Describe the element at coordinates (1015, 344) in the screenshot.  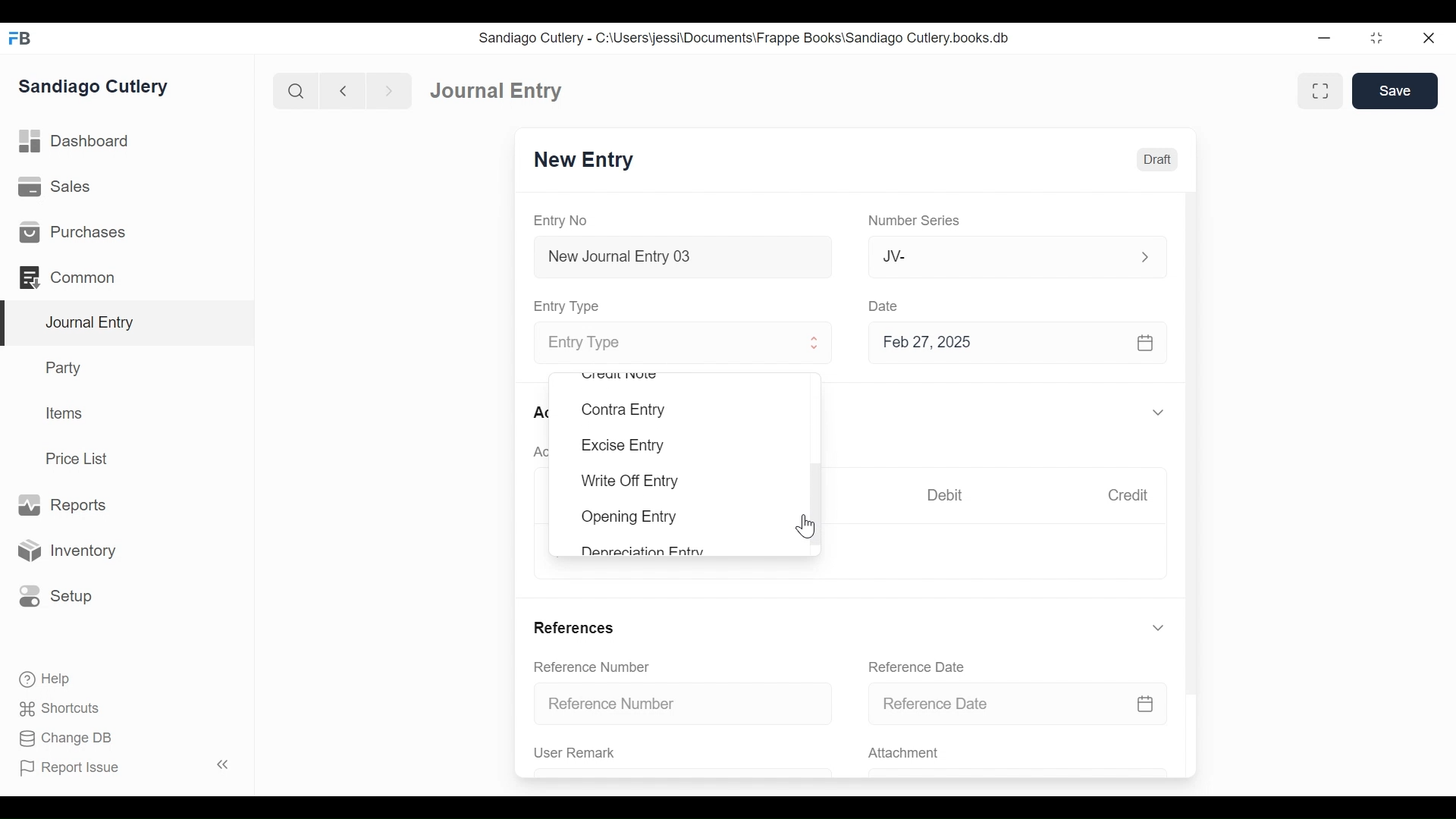
I see `Feb 27, 2025` at that location.